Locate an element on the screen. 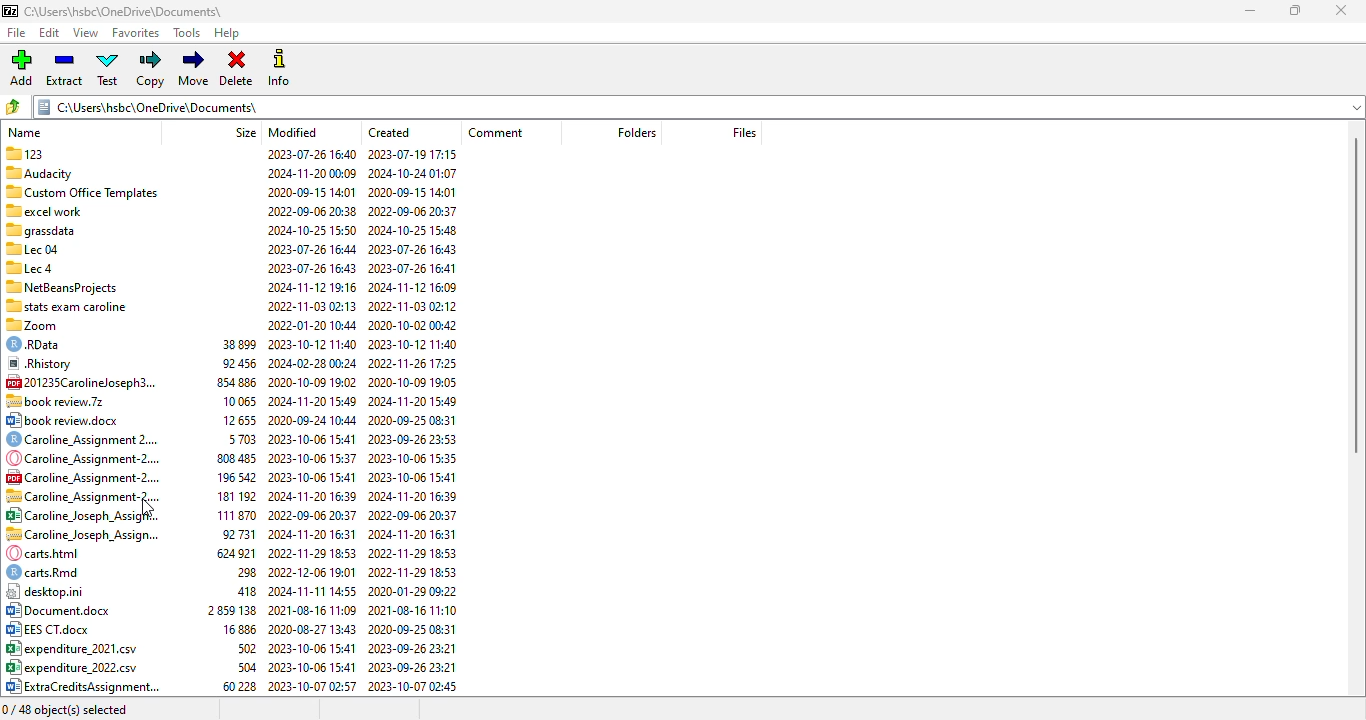 The height and width of the screenshot is (720, 1366). files is located at coordinates (741, 132).